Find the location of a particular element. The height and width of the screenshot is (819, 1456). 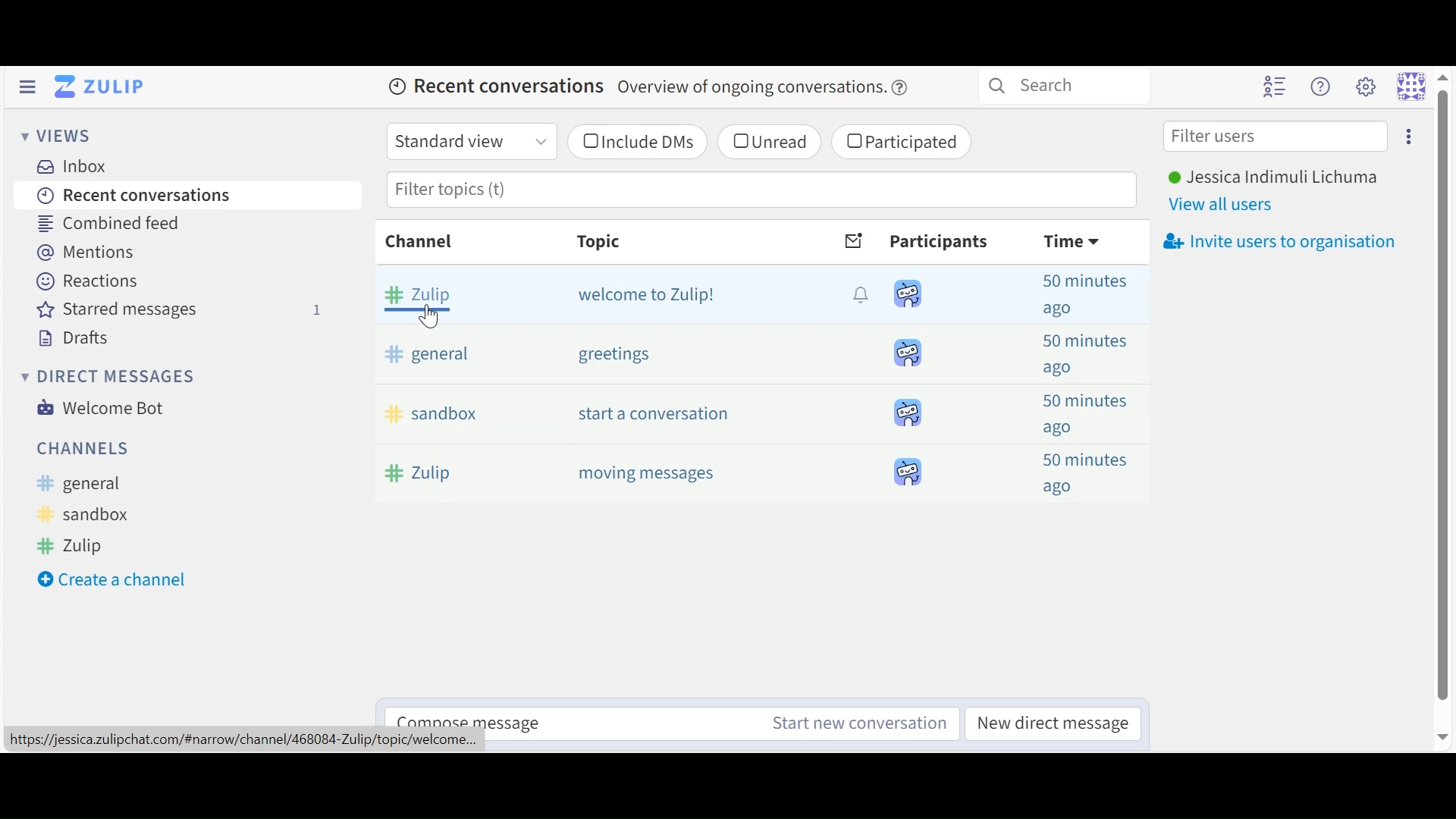

Hide Sidebar is located at coordinates (29, 85).